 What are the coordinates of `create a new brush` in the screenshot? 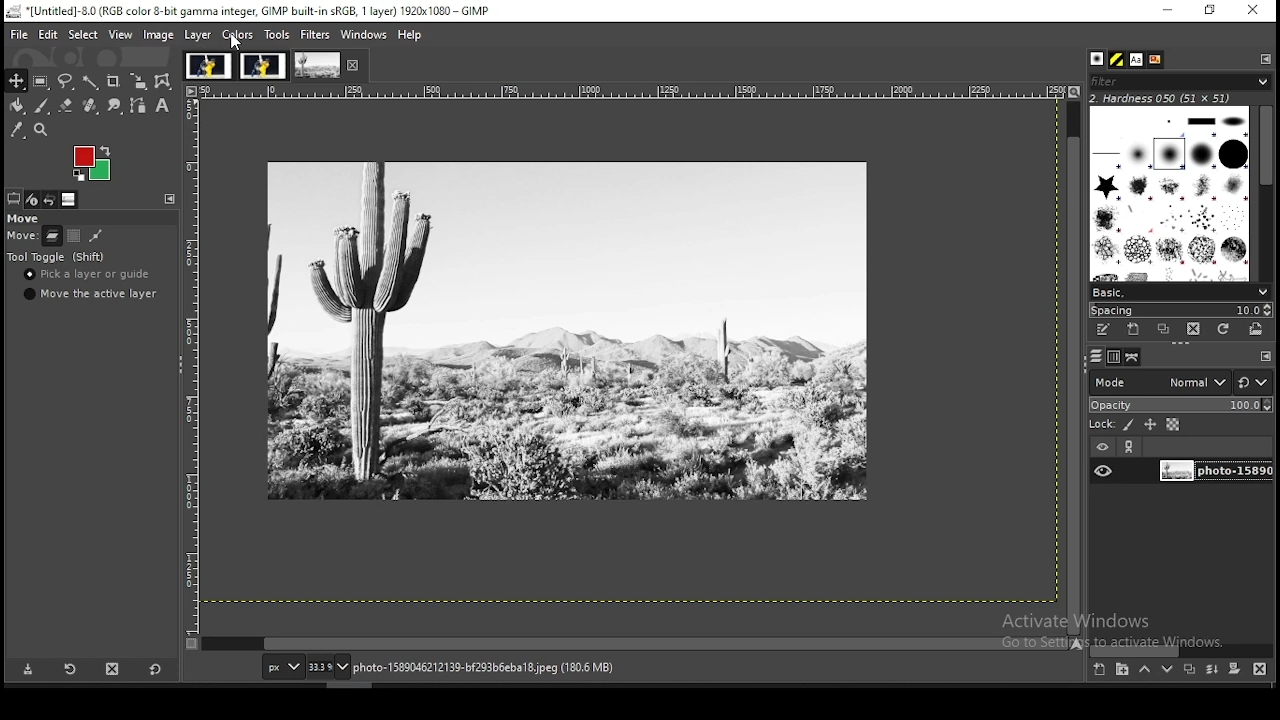 It's located at (1136, 330).